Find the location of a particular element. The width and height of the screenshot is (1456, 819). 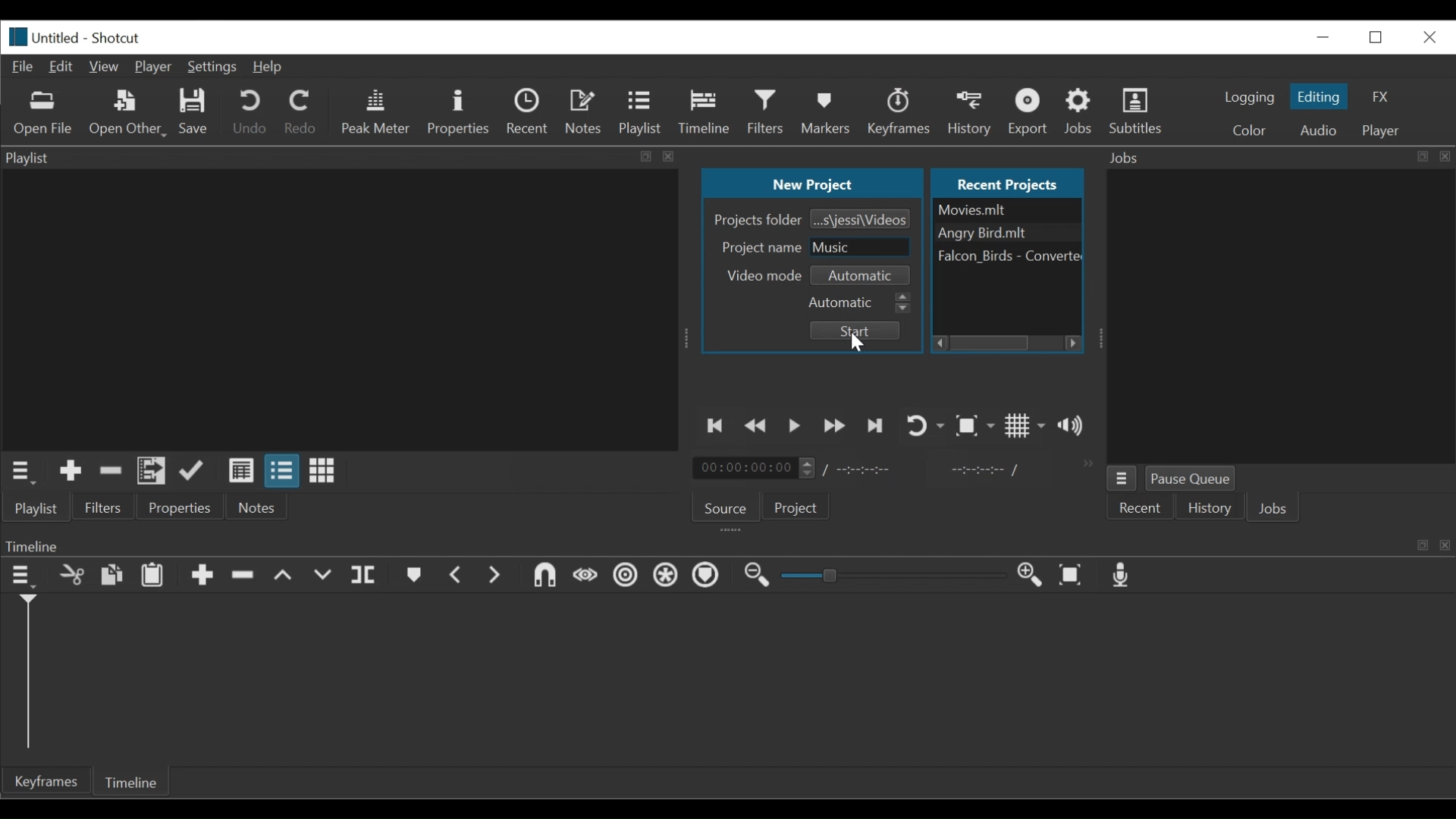

Recent is located at coordinates (529, 109).